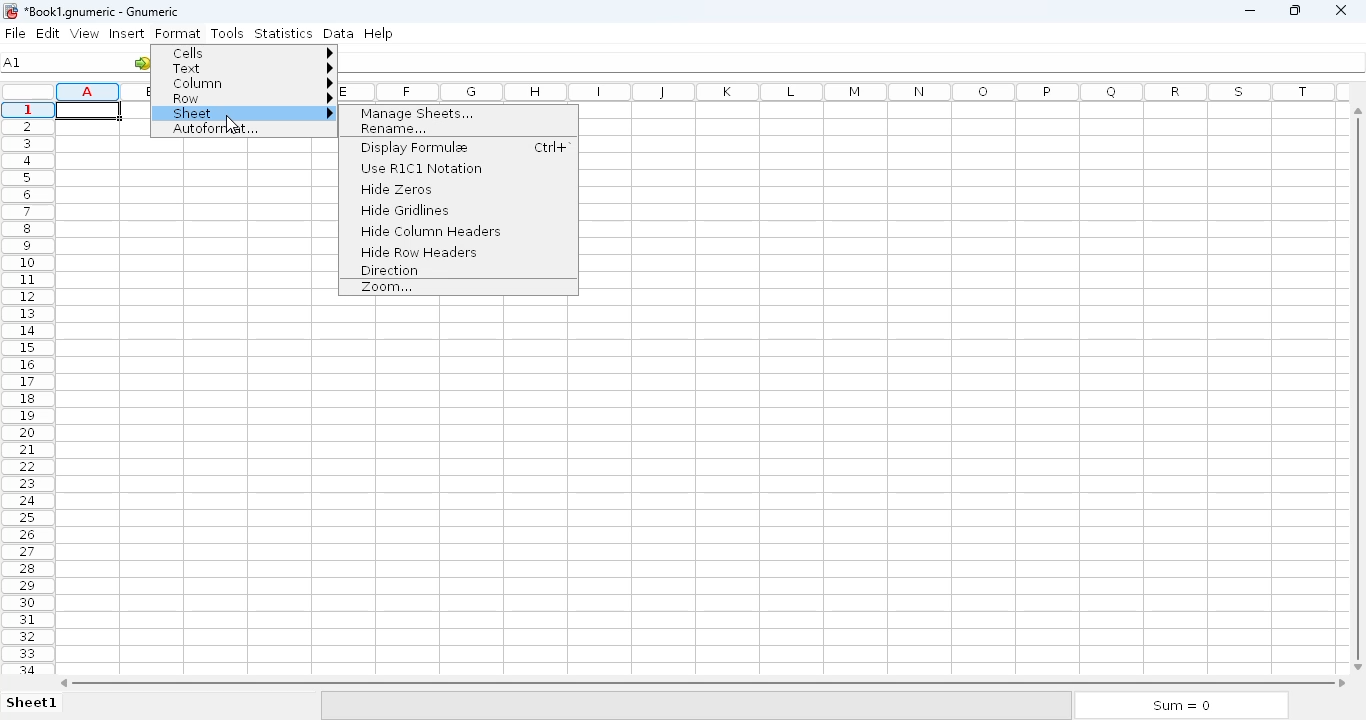 The image size is (1366, 720). What do you see at coordinates (1296, 10) in the screenshot?
I see `maximize` at bounding box center [1296, 10].